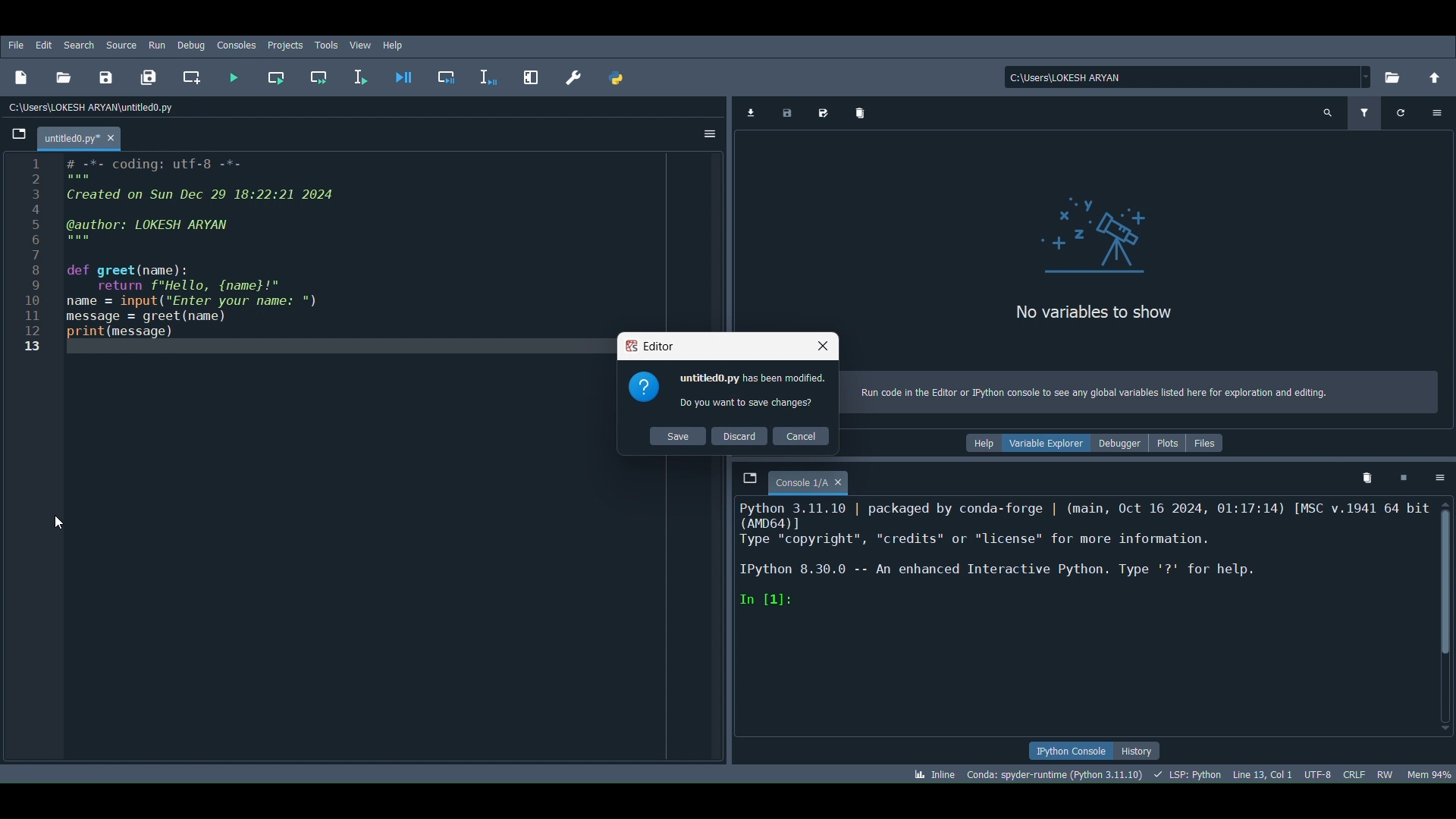 This screenshot has height=819, width=1456. What do you see at coordinates (802, 438) in the screenshot?
I see `Cancel` at bounding box center [802, 438].